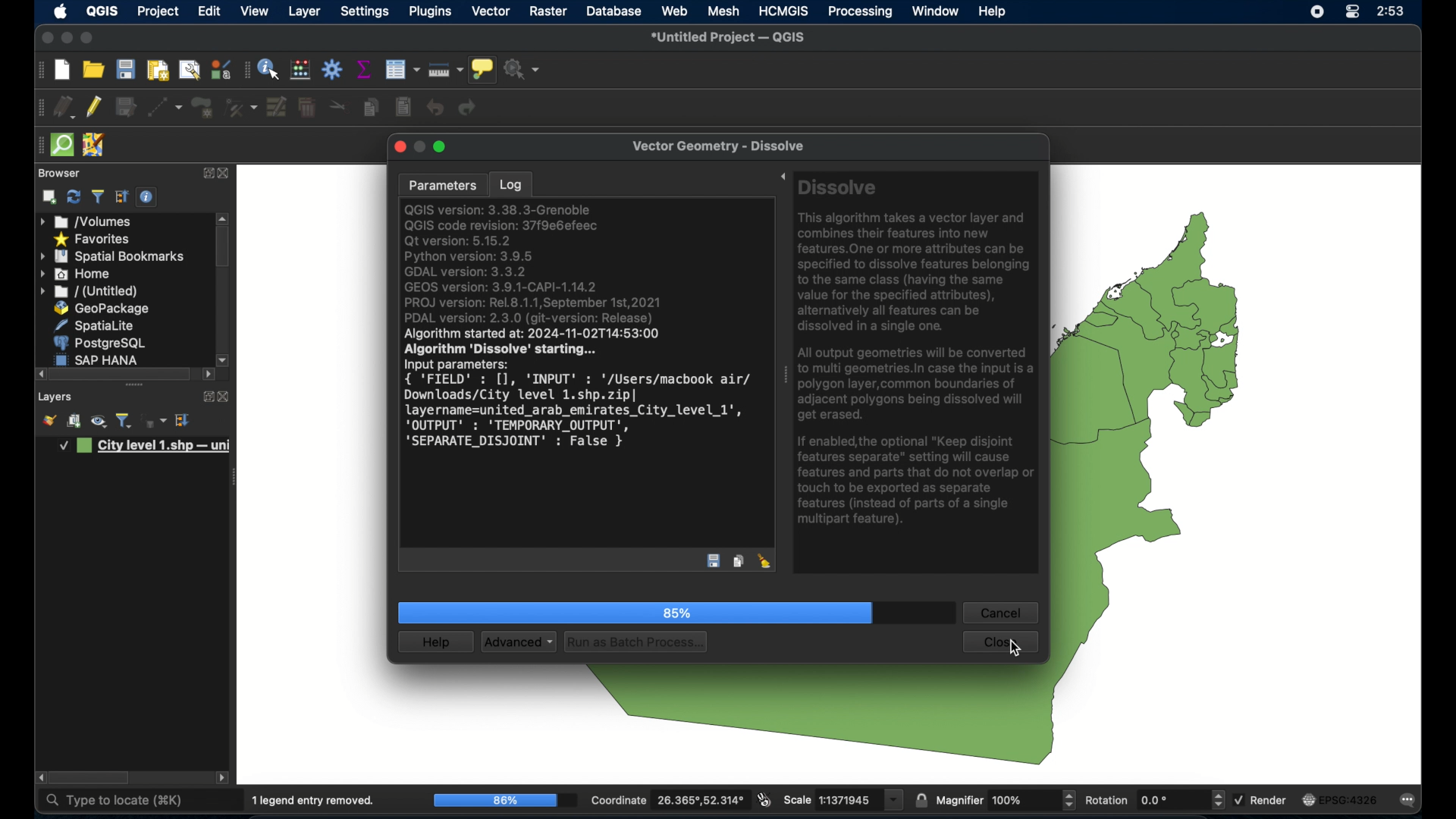 The width and height of the screenshot is (1456, 819). What do you see at coordinates (1000, 613) in the screenshot?
I see `cancel` at bounding box center [1000, 613].